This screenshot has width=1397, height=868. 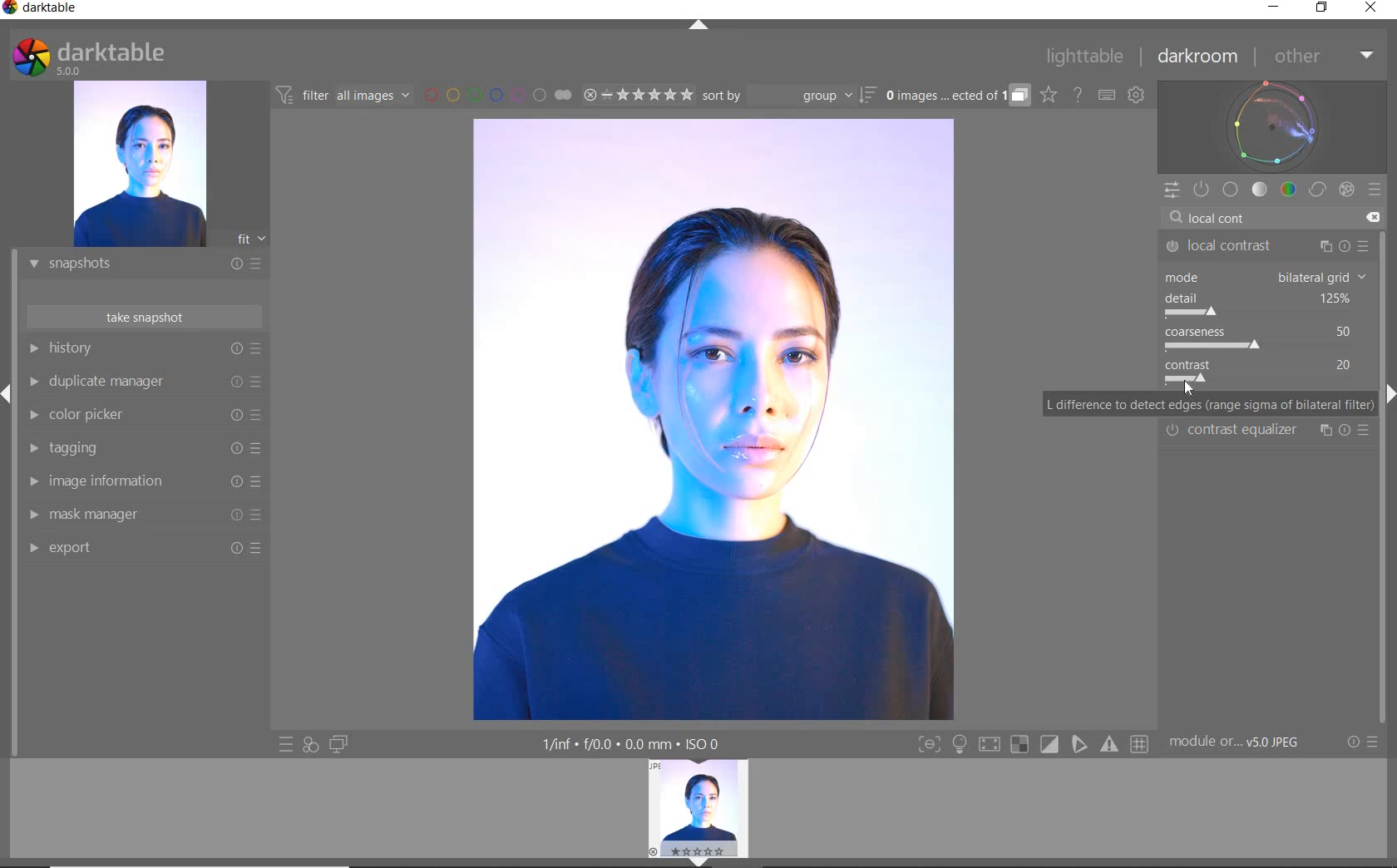 I want to click on SELECTED IMAGE, so click(x=712, y=419).